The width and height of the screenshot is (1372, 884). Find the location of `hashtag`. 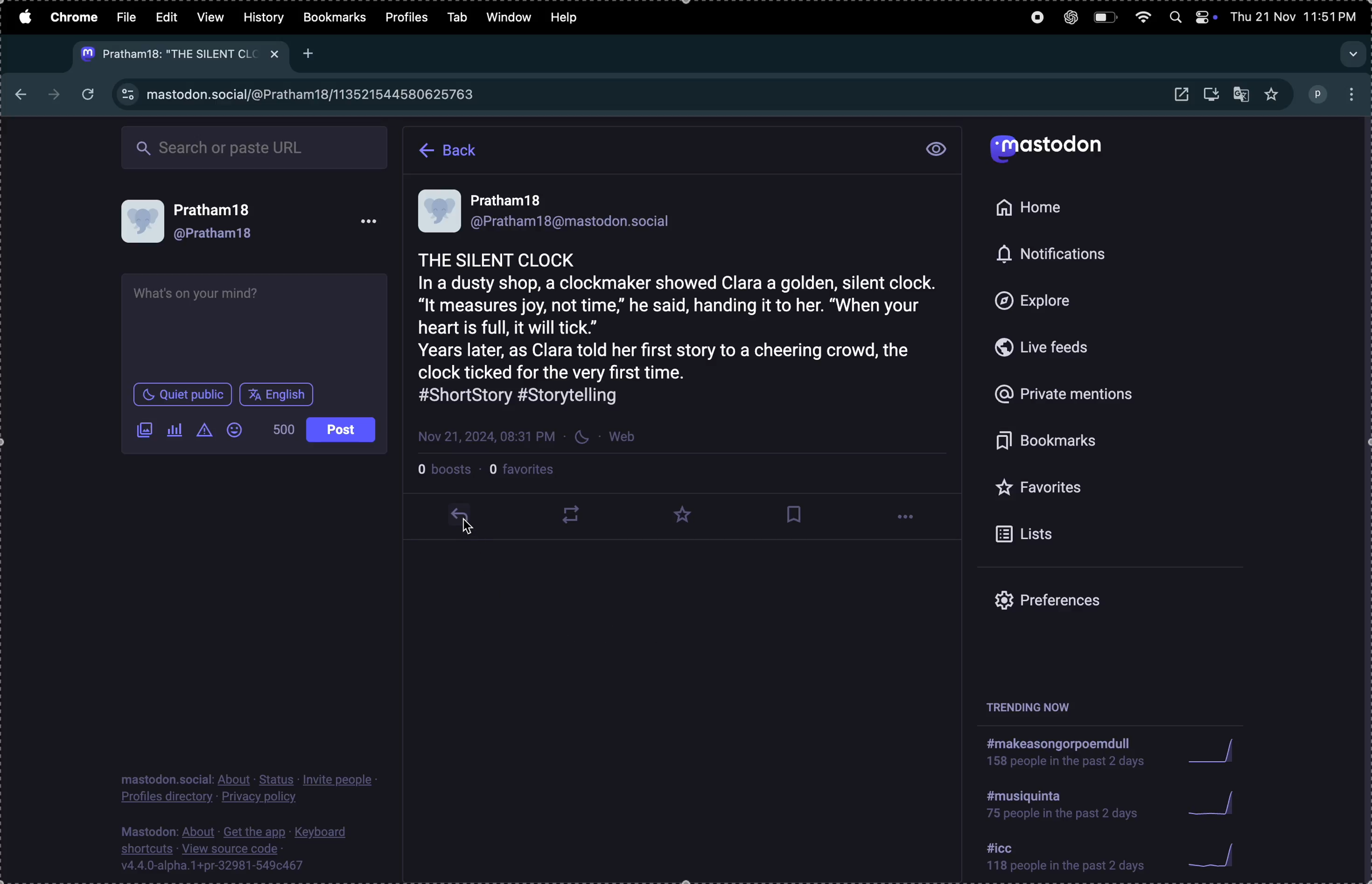

hashtag is located at coordinates (1066, 859).